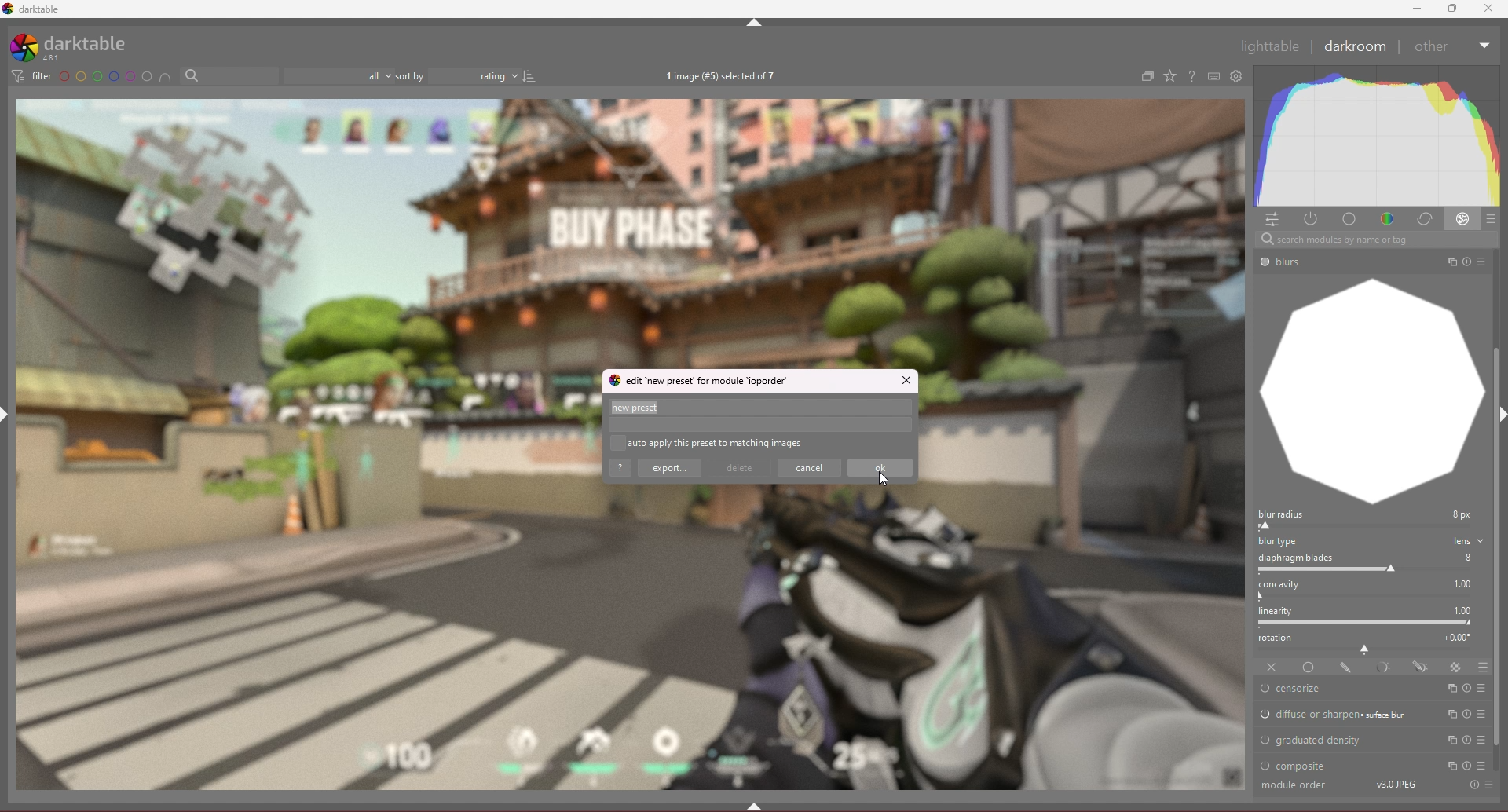 Image resolution: width=1508 pixels, height=812 pixels. What do you see at coordinates (1448, 766) in the screenshot?
I see `multi instances actions` at bounding box center [1448, 766].